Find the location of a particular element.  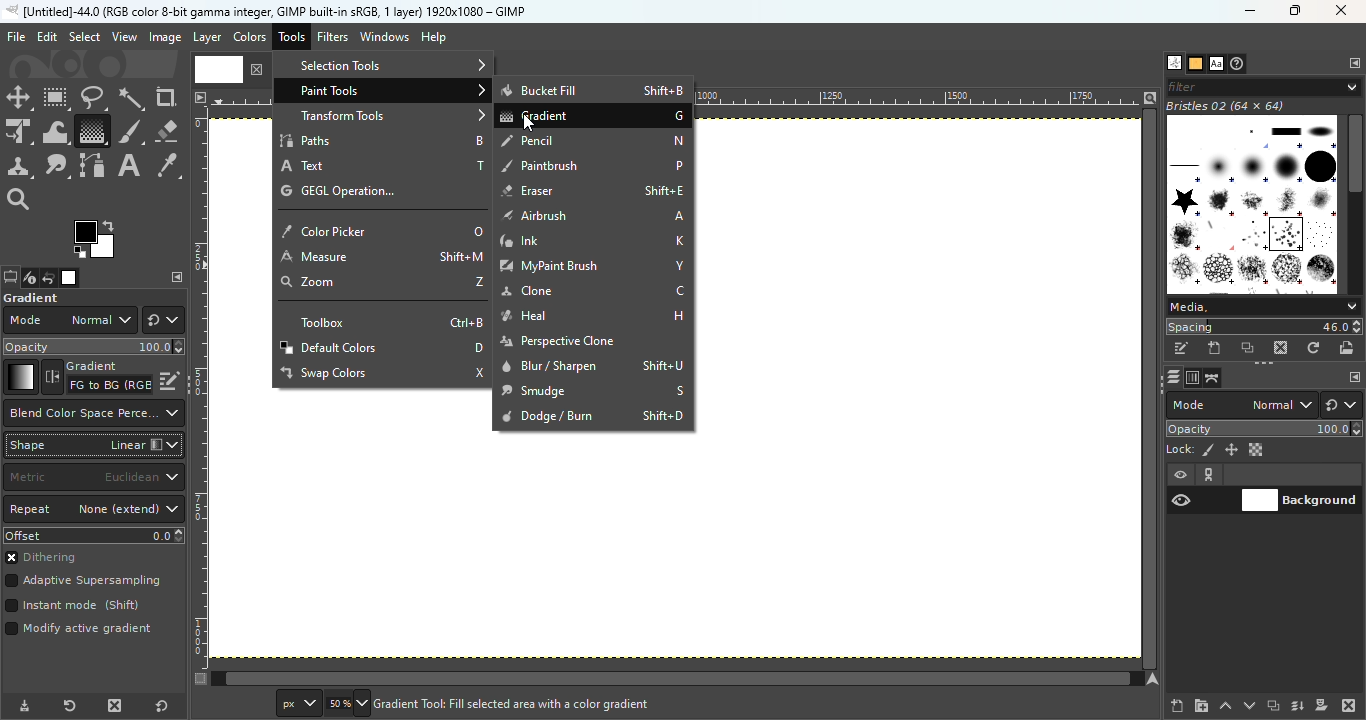

Blur/sharpen is located at coordinates (593, 365).